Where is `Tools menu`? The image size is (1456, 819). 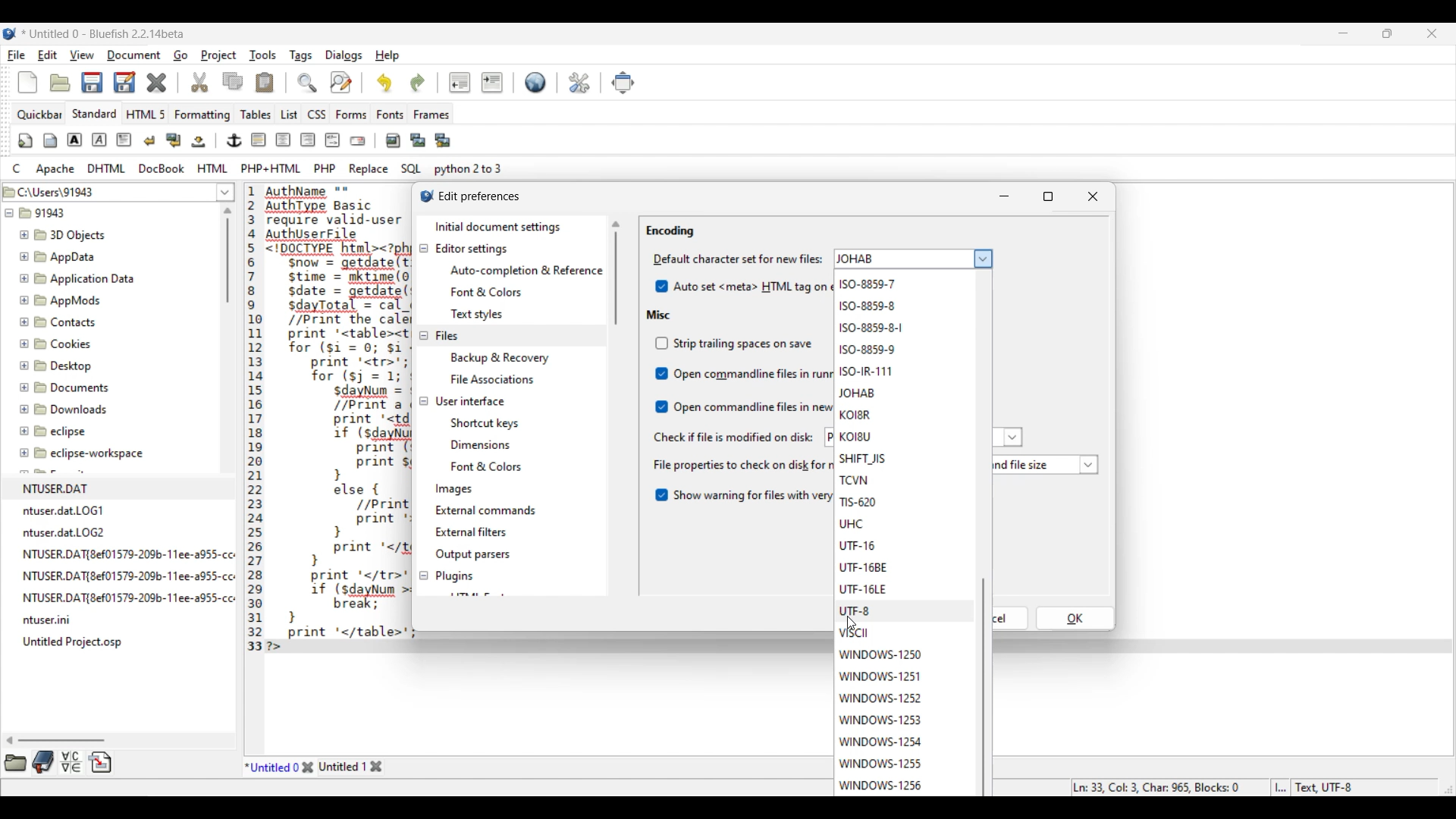 Tools menu is located at coordinates (263, 55).